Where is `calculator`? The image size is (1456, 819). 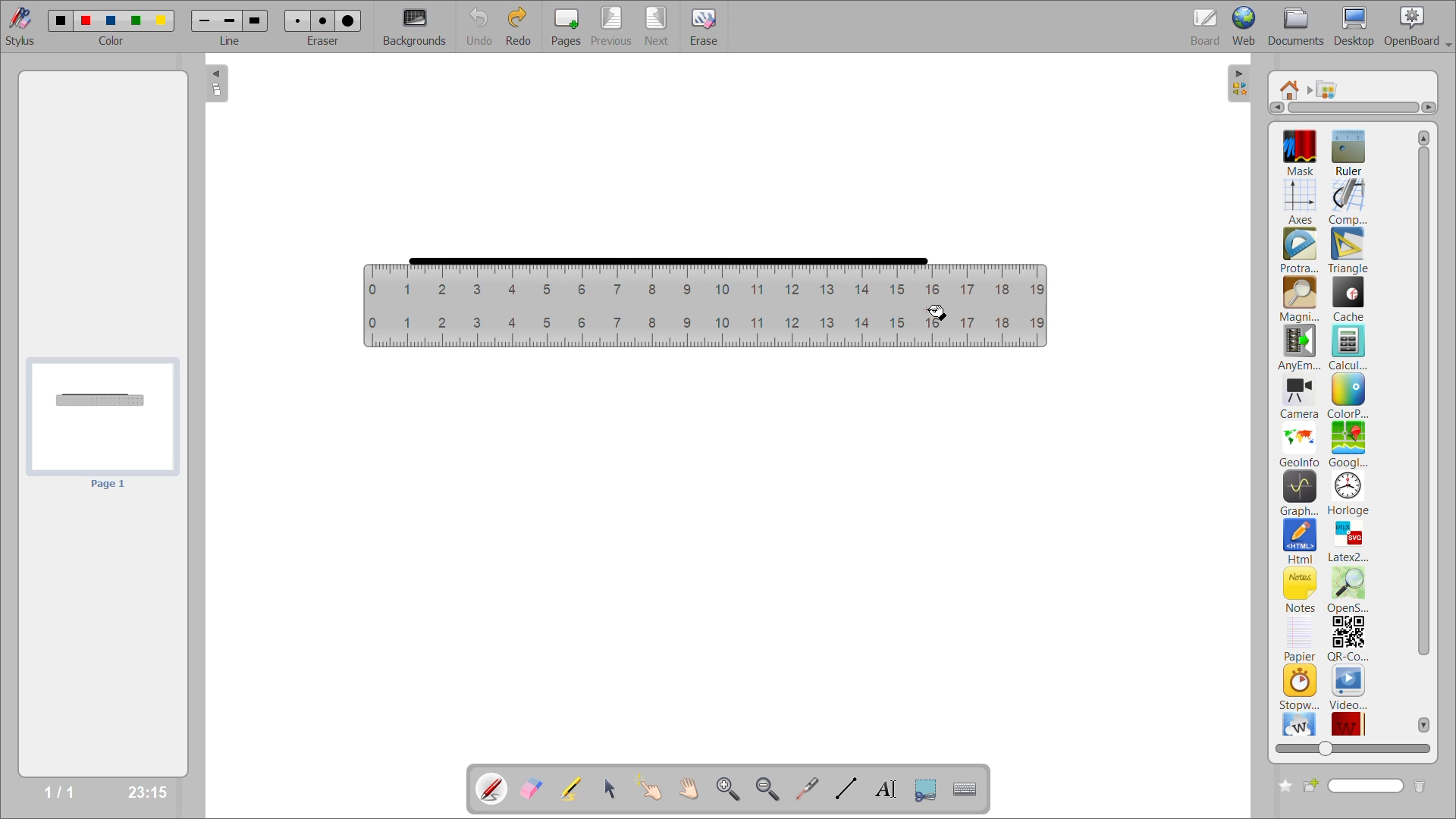 calculator is located at coordinates (1350, 347).